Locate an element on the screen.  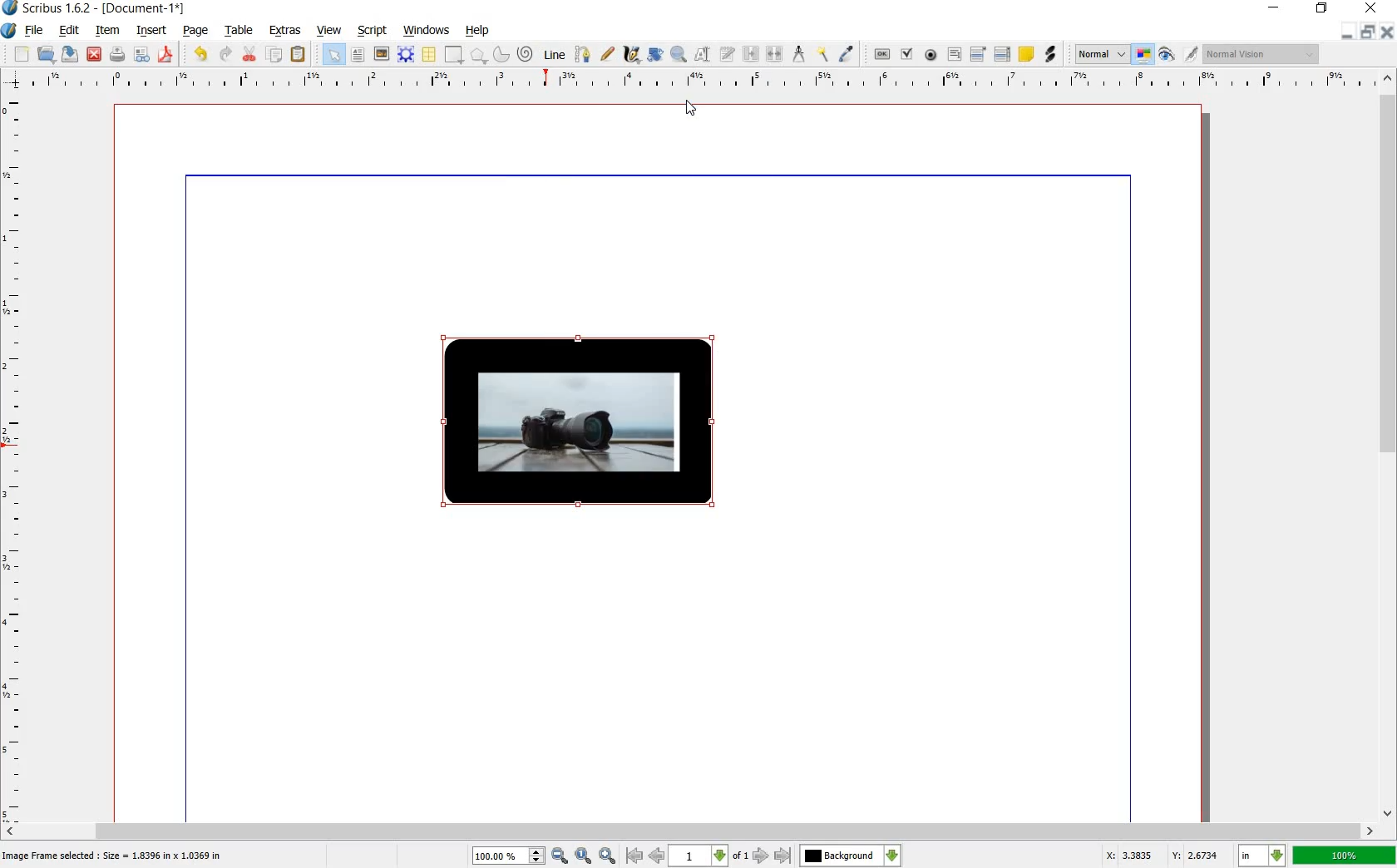
pdf text field is located at coordinates (955, 55).